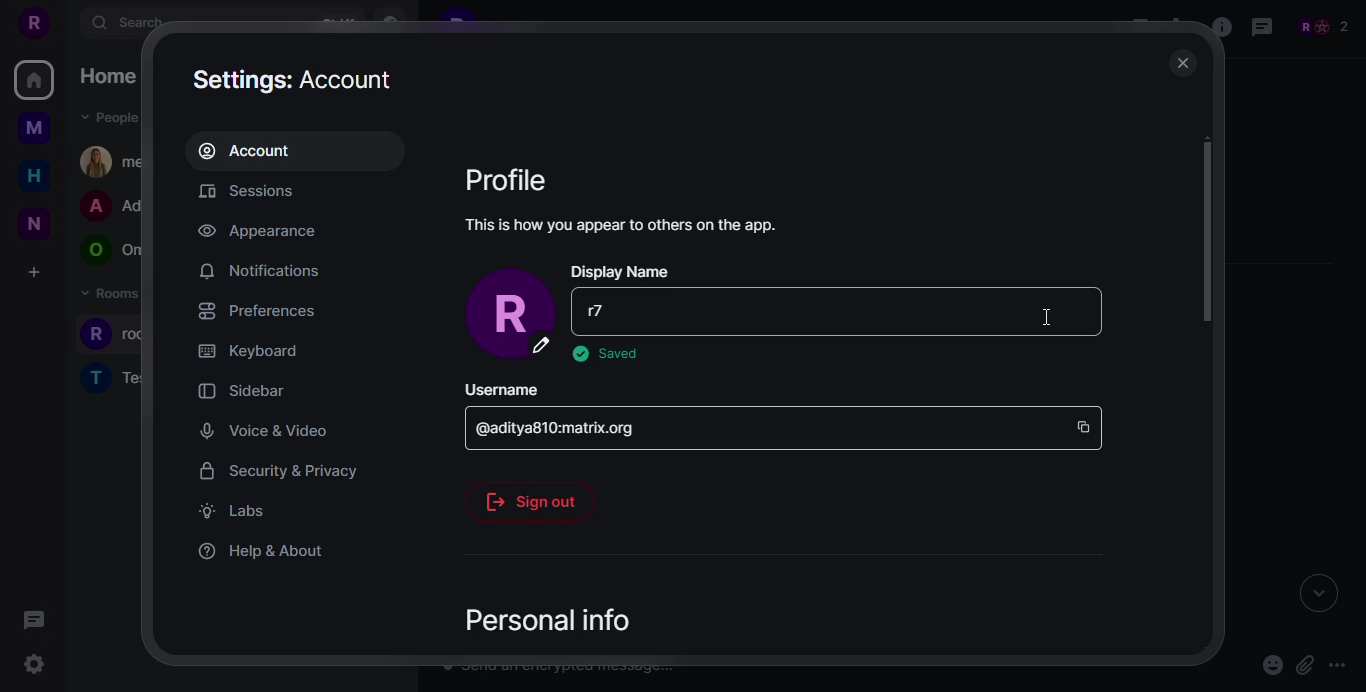 The width and height of the screenshot is (1366, 692). I want to click on emoji, so click(1271, 664).